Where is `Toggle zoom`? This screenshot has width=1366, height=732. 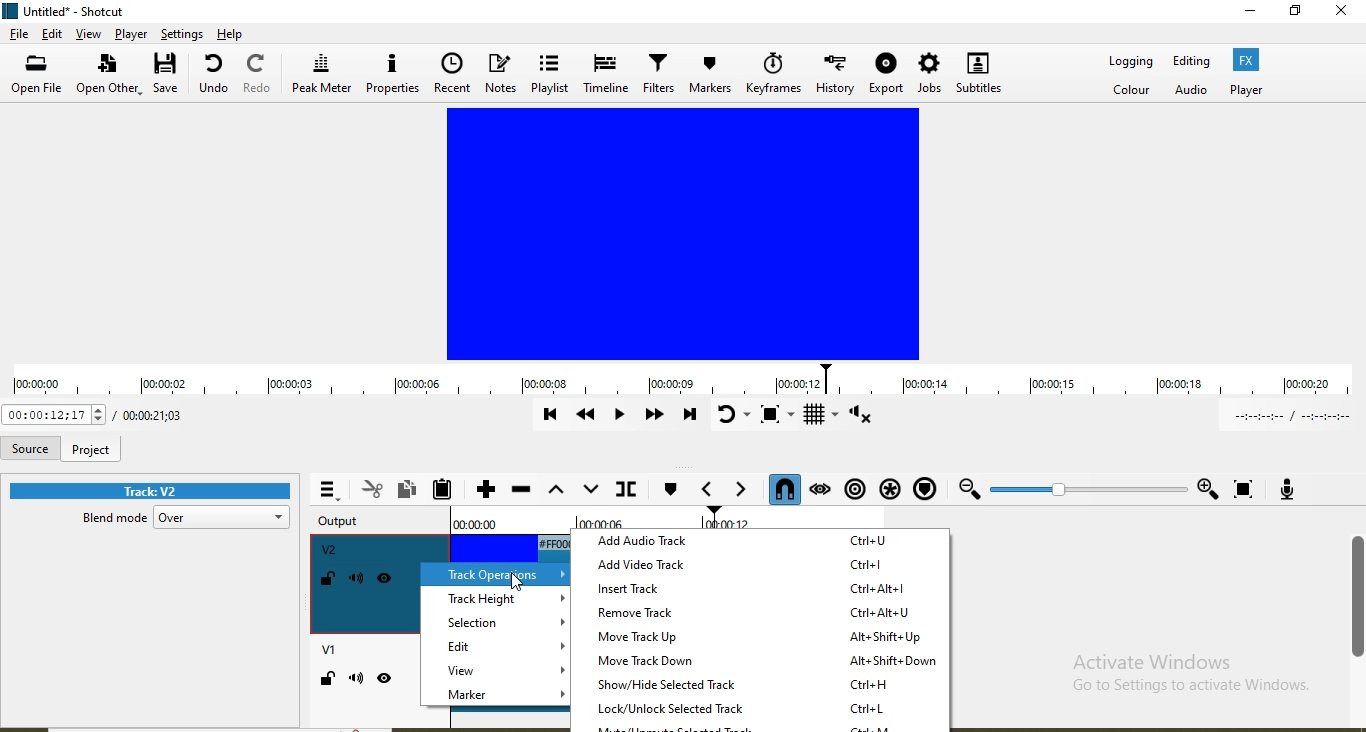
Toggle zoom is located at coordinates (774, 416).